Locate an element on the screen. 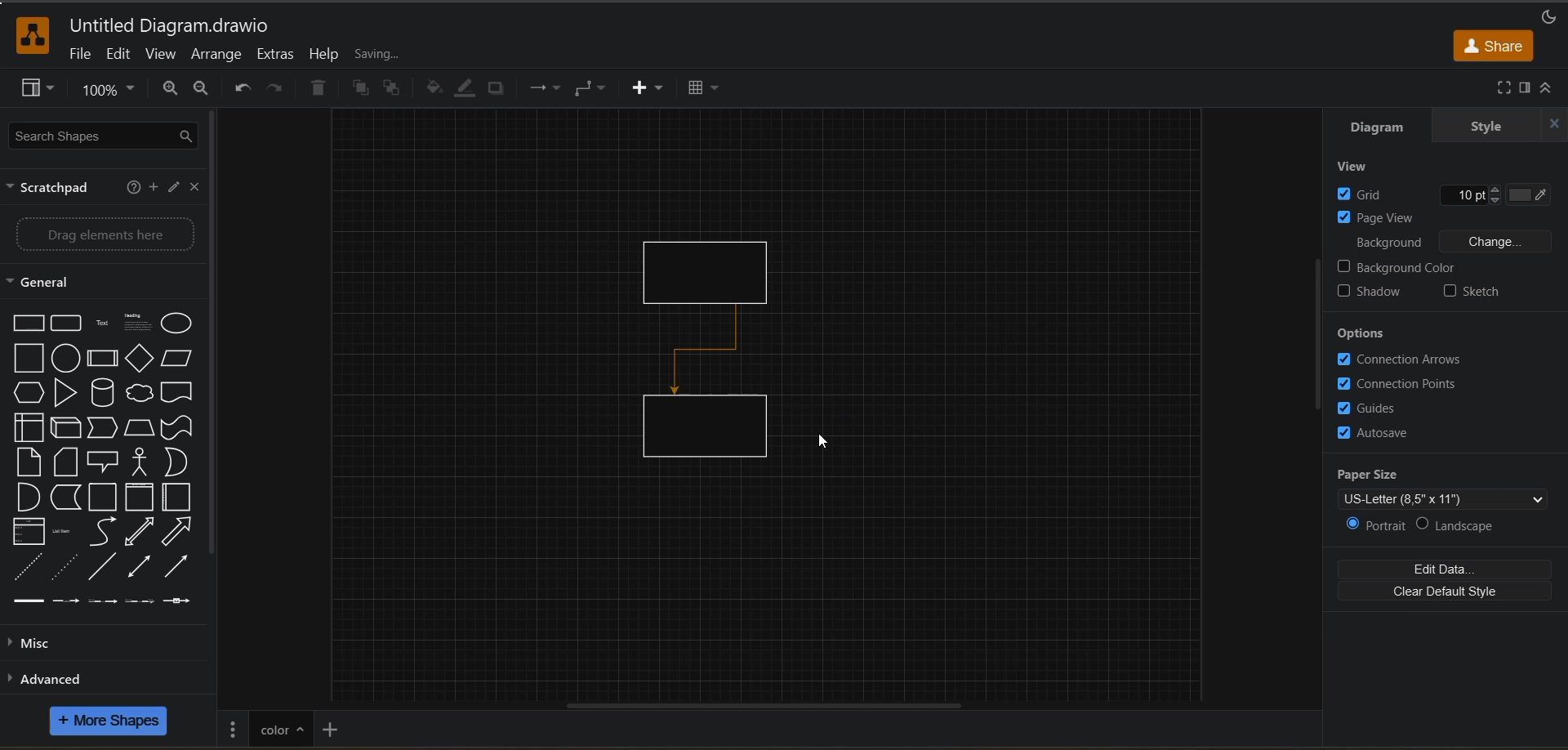  sketch is located at coordinates (1472, 291).